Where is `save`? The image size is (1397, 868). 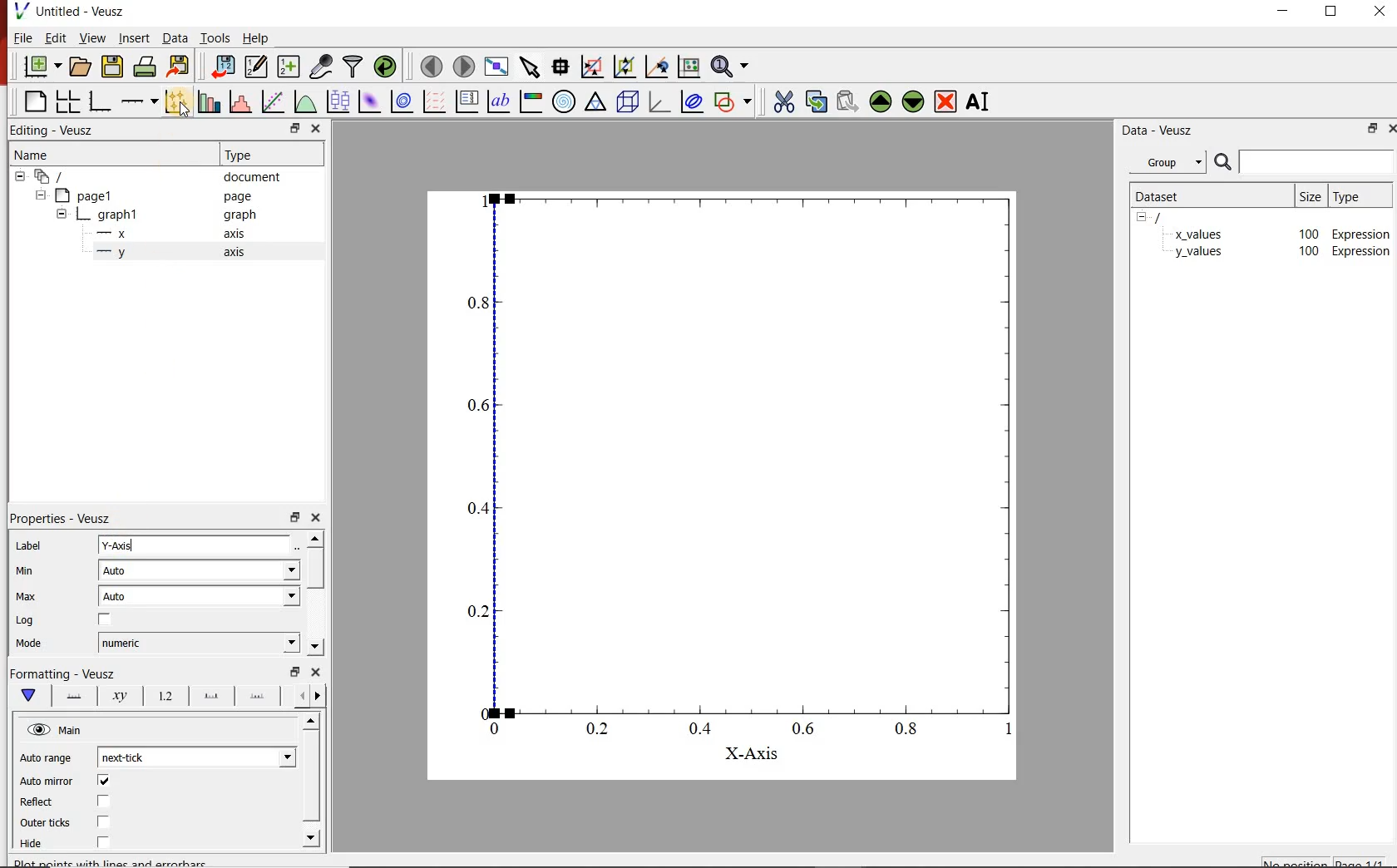
save is located at coordinates (113, 66).